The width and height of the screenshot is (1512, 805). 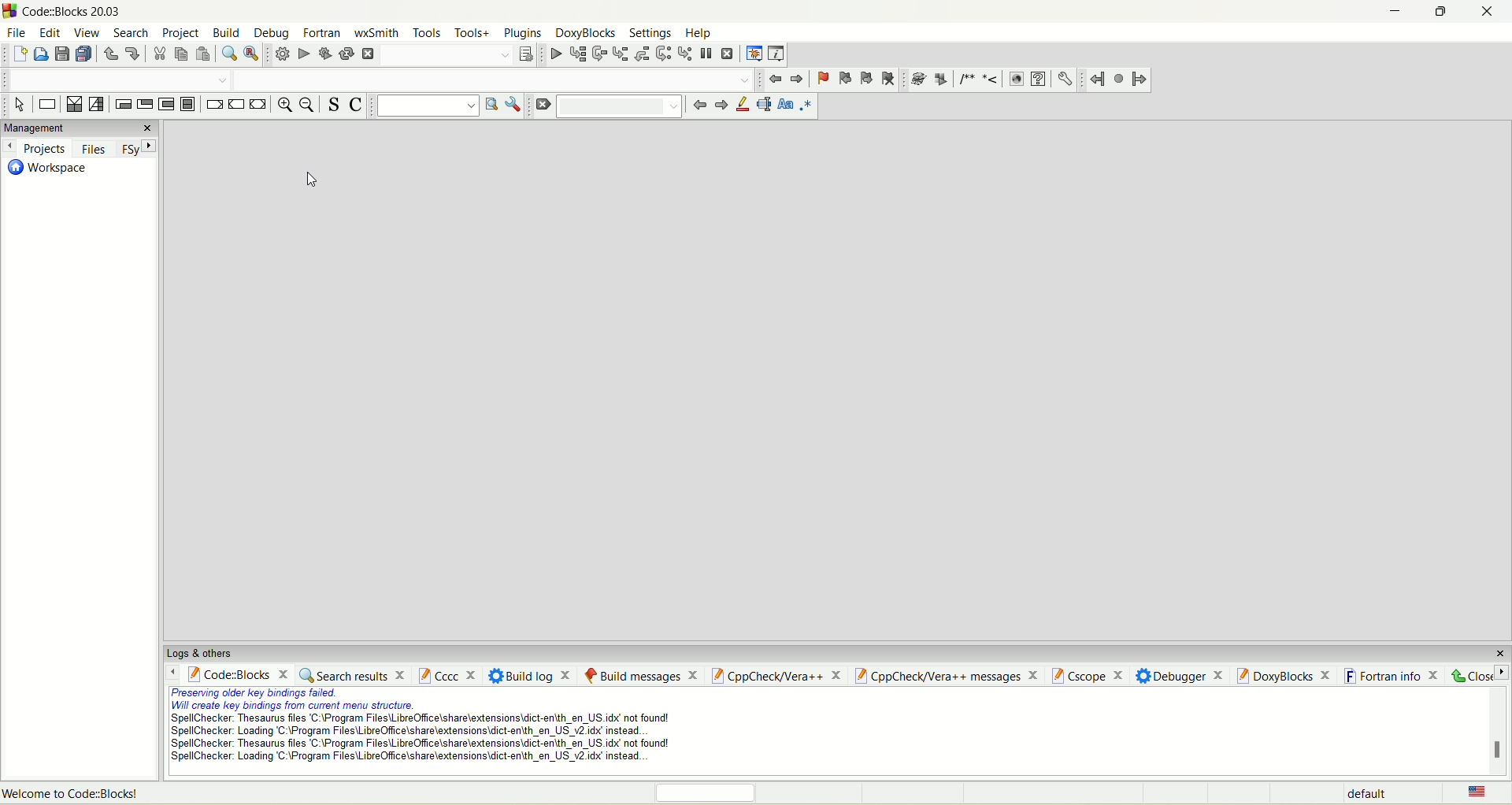 I want to click on jump back, so click(x=1095, y=80).